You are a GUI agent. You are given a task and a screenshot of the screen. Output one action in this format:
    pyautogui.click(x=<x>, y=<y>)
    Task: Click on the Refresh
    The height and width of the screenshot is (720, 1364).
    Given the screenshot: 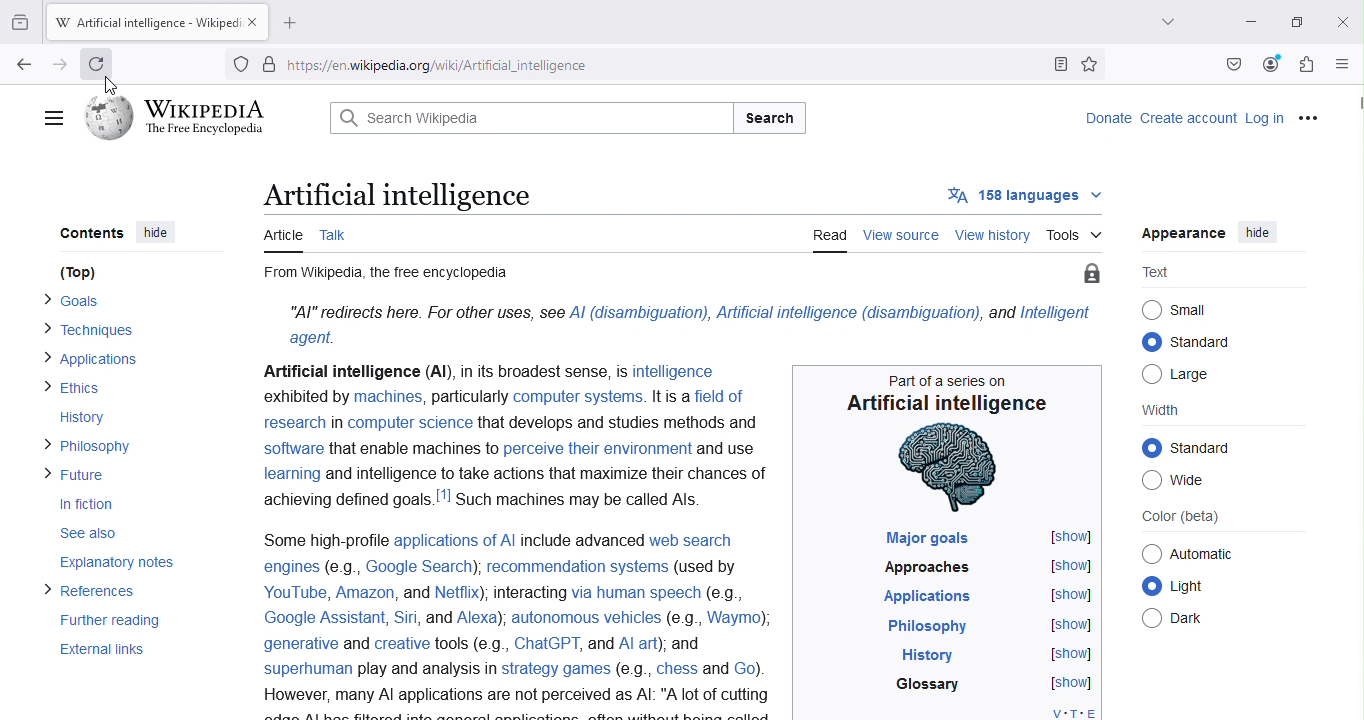 What is the action you would take?
    pyautogui.click(x=98, y=64)
    